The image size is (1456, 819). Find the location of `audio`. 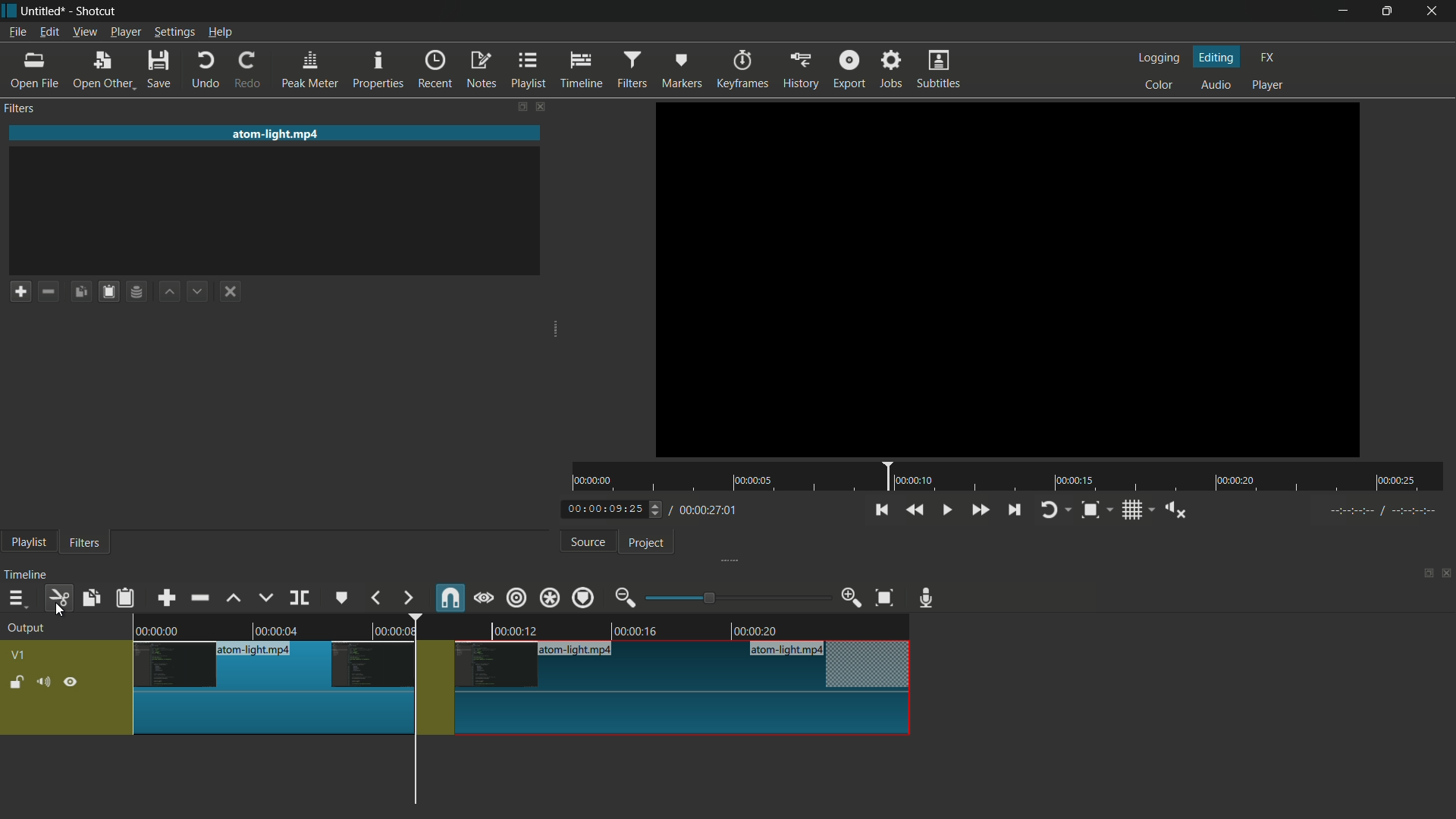

audio is located at coordinates (1217, 84).